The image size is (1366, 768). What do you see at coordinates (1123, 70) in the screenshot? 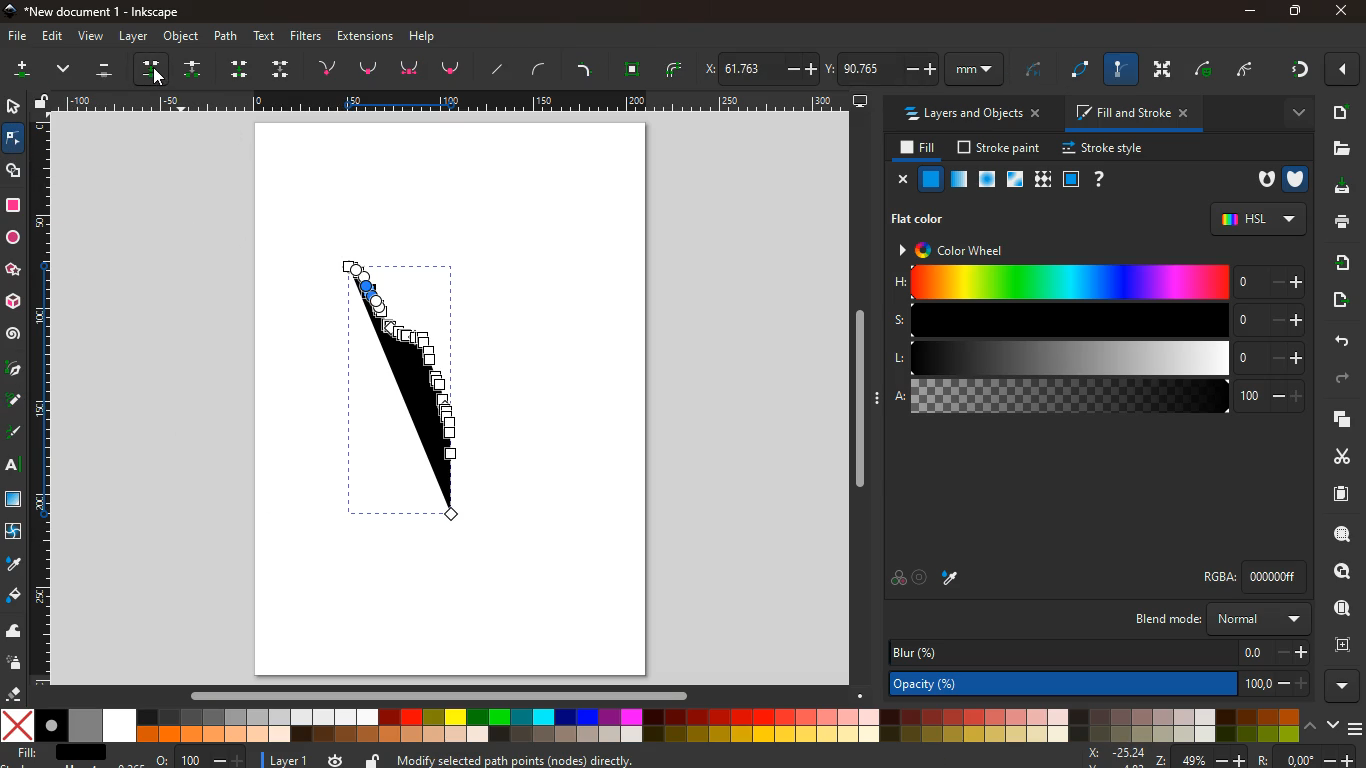
I see `pole` at bounding box center [1123, 70].